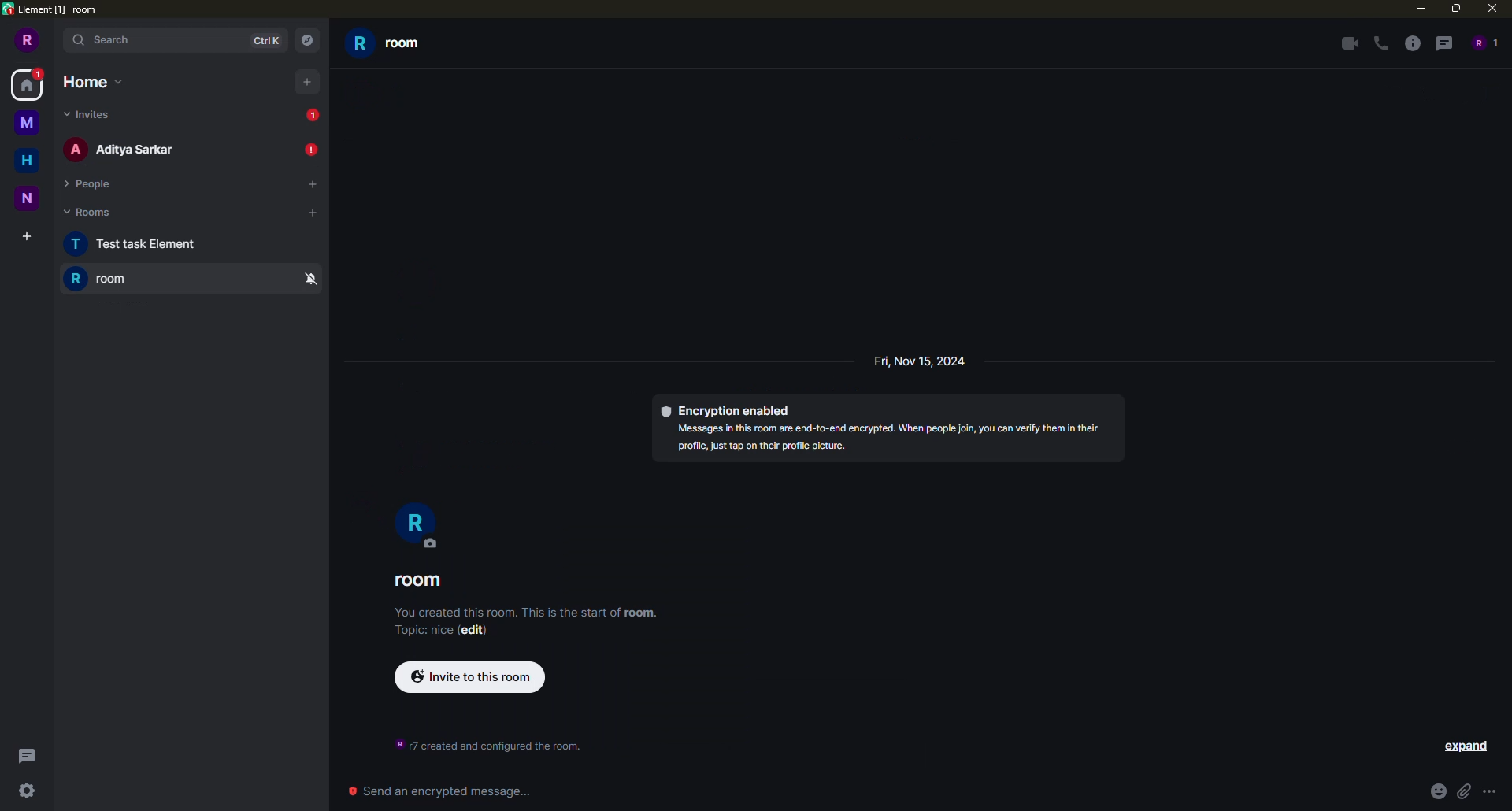 This screenshot has width=1512, height=811. What do you see at coordinates (21, 239) in the screenshot?
I see `create a space` at bounding box center [21, 239].